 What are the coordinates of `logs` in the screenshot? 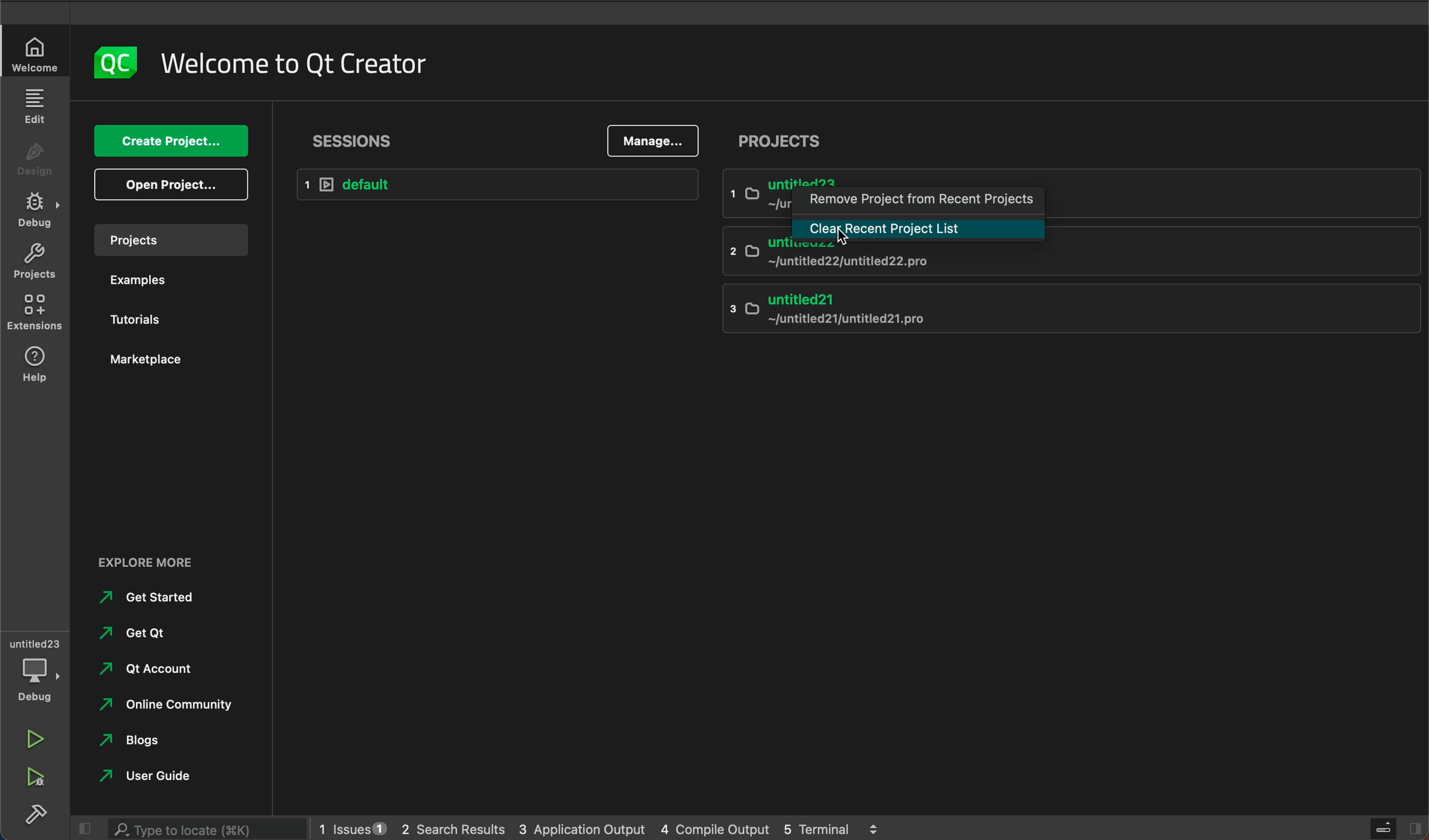 It's located at (606, 828).